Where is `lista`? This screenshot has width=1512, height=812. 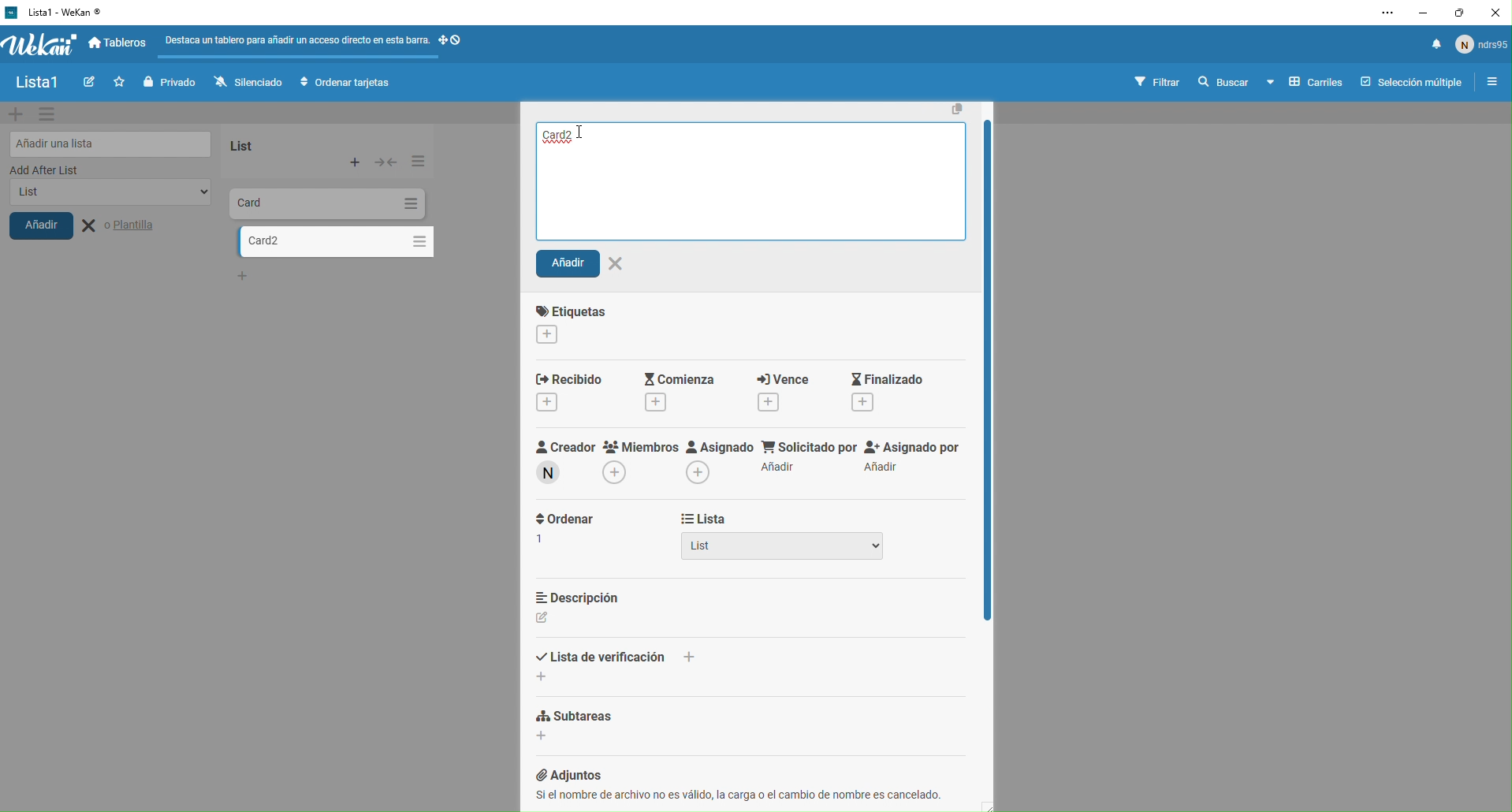 lista is located at coordinates (755, 518).